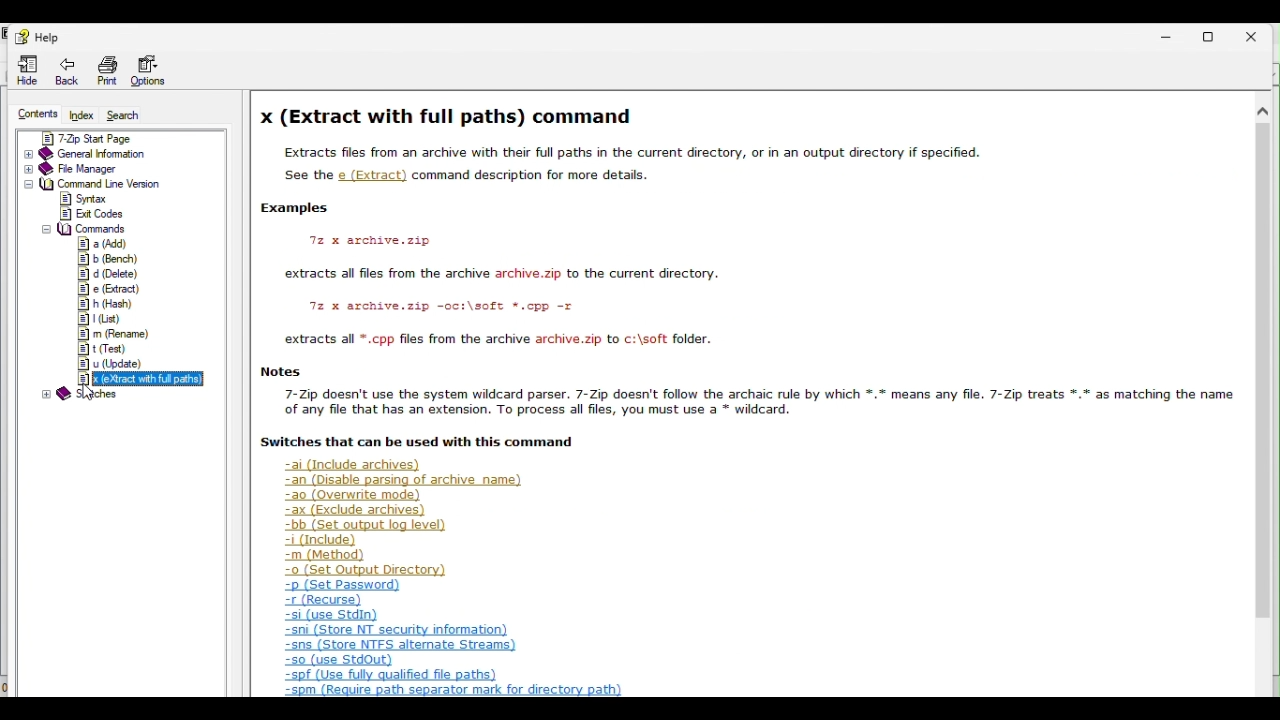 Image resolution: width=1280 pixels, height=720 pixels. I want to click on collapse, so click(45, 229).